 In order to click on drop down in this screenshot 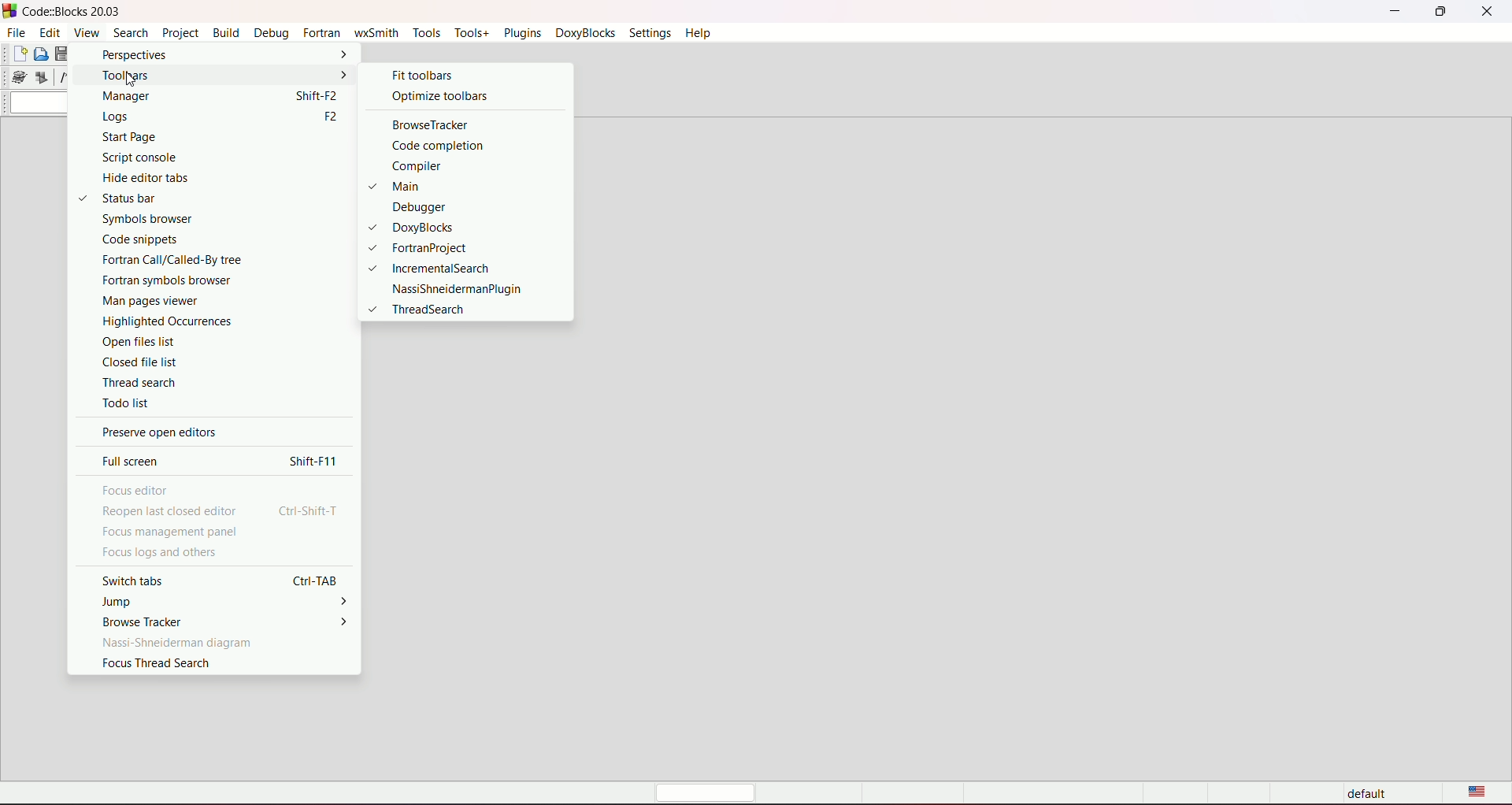, I will do `click(37, 103)`.